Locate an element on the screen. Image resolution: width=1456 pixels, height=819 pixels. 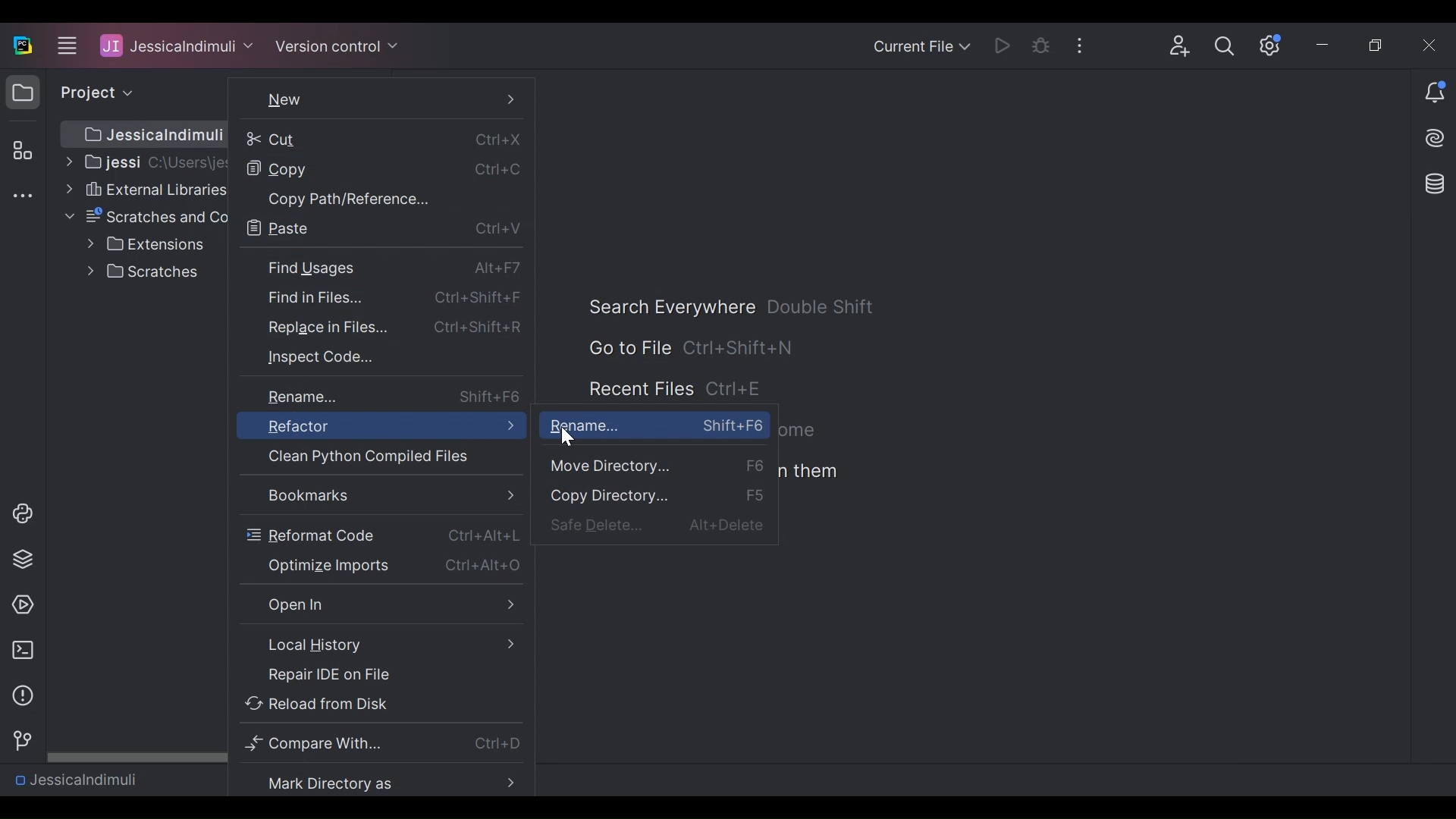
Rename is located at coordinates (383, 396).